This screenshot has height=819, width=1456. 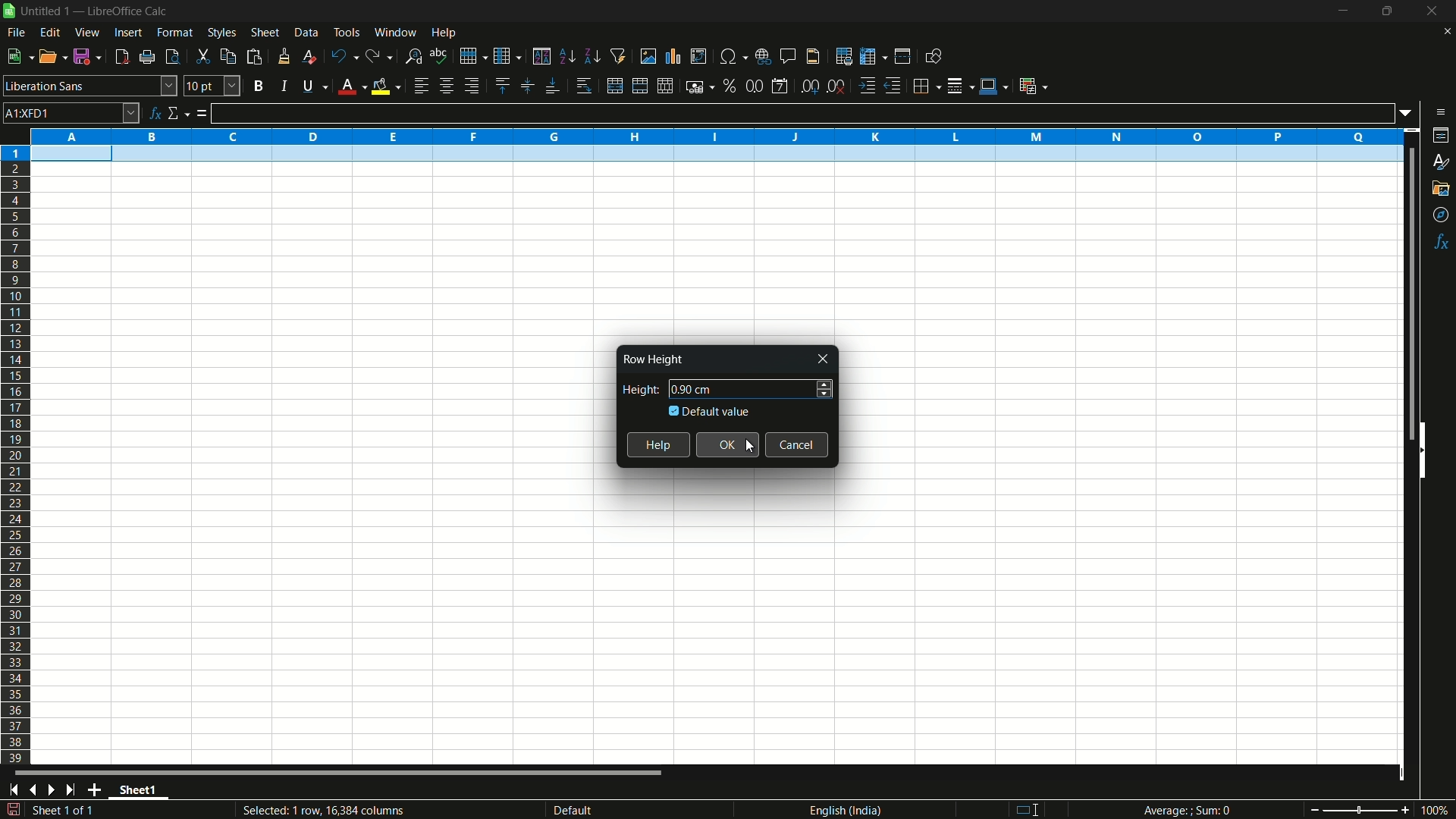 I want to click on function wizard, so click(x=155, y=113).